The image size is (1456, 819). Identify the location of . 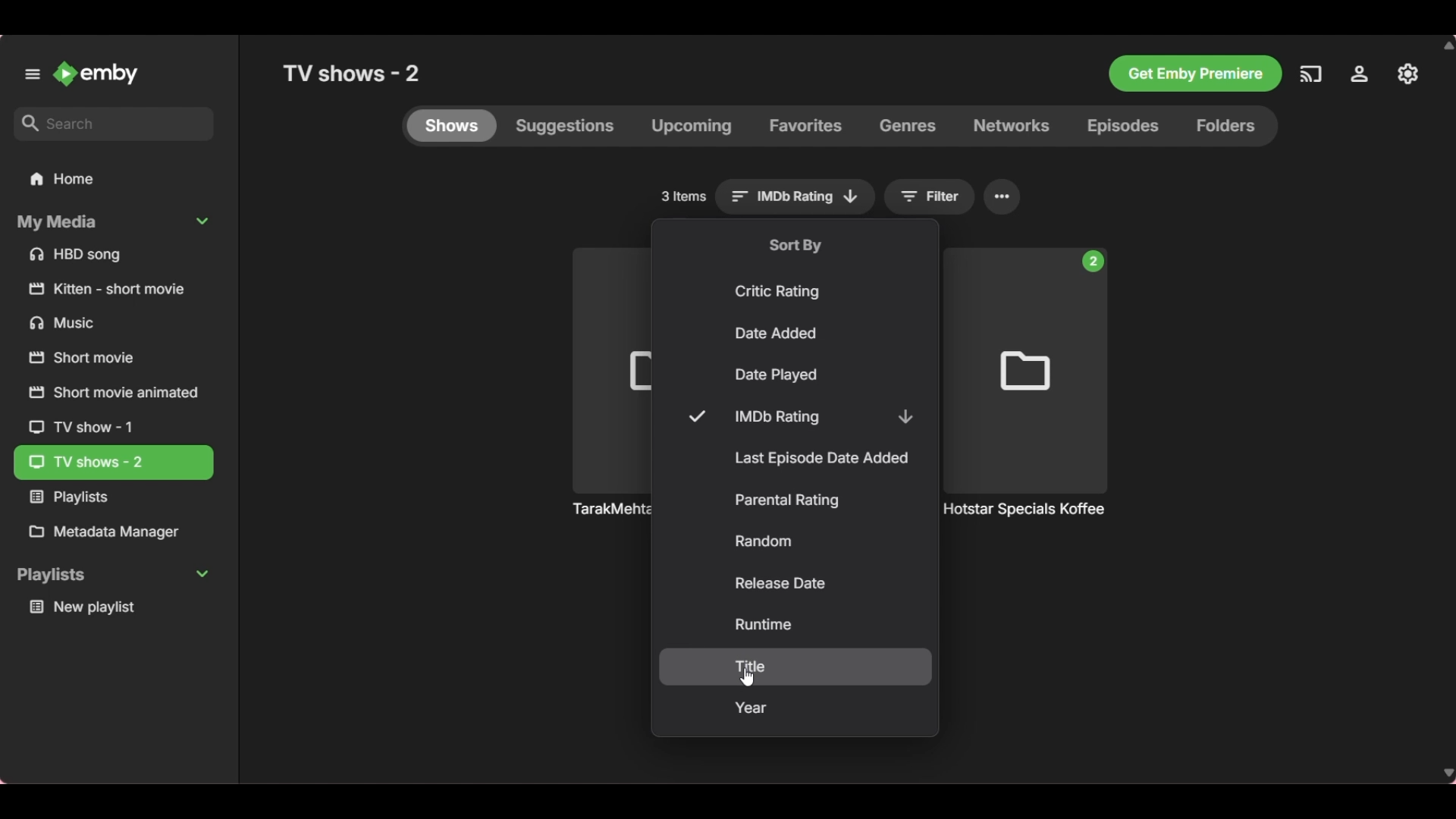
(103, 326).